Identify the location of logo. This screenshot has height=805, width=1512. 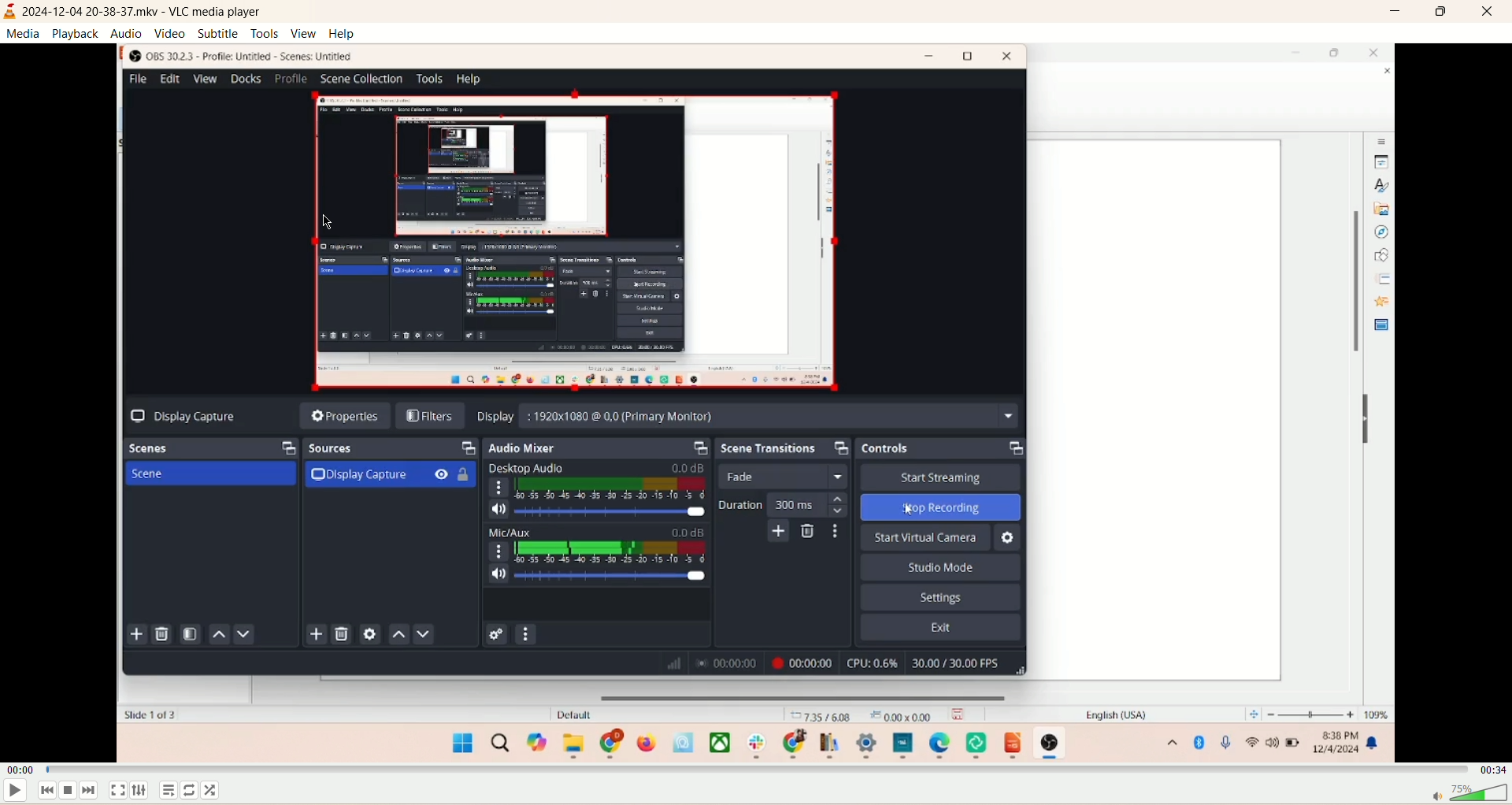
(10, 13).